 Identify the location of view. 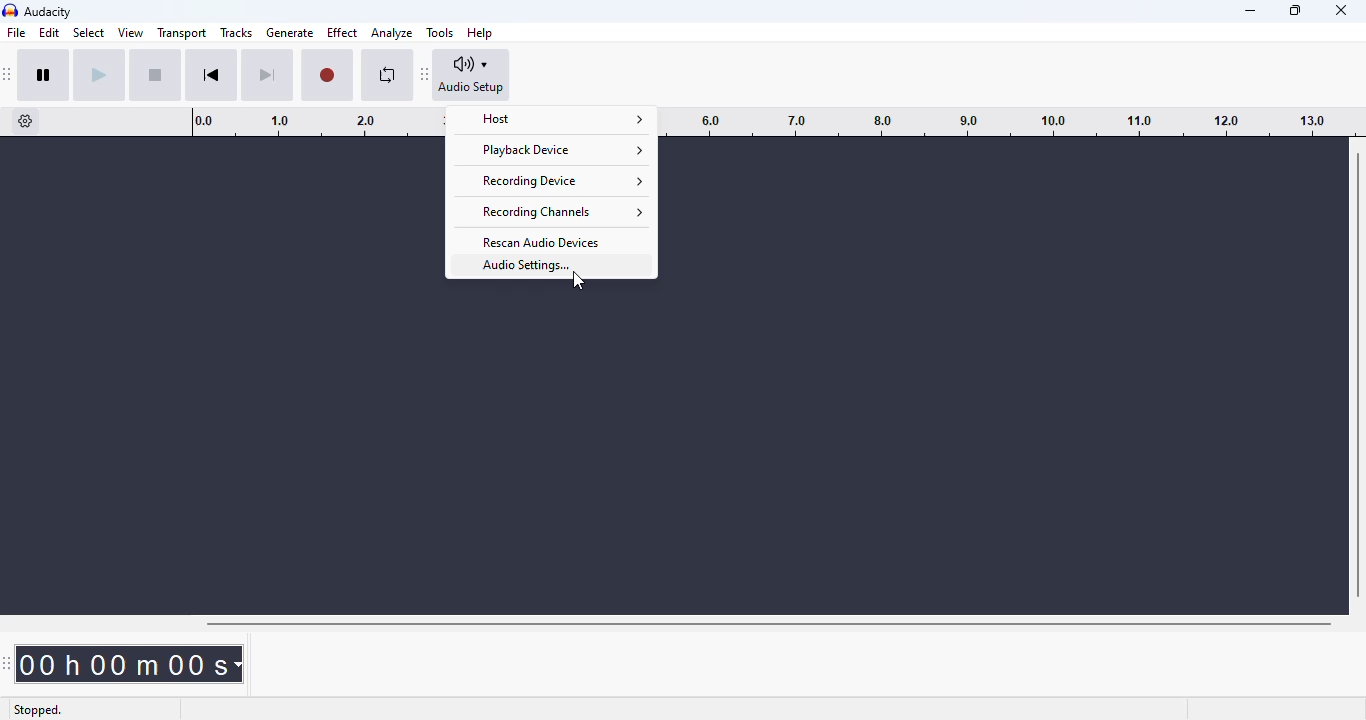
(131, 33).